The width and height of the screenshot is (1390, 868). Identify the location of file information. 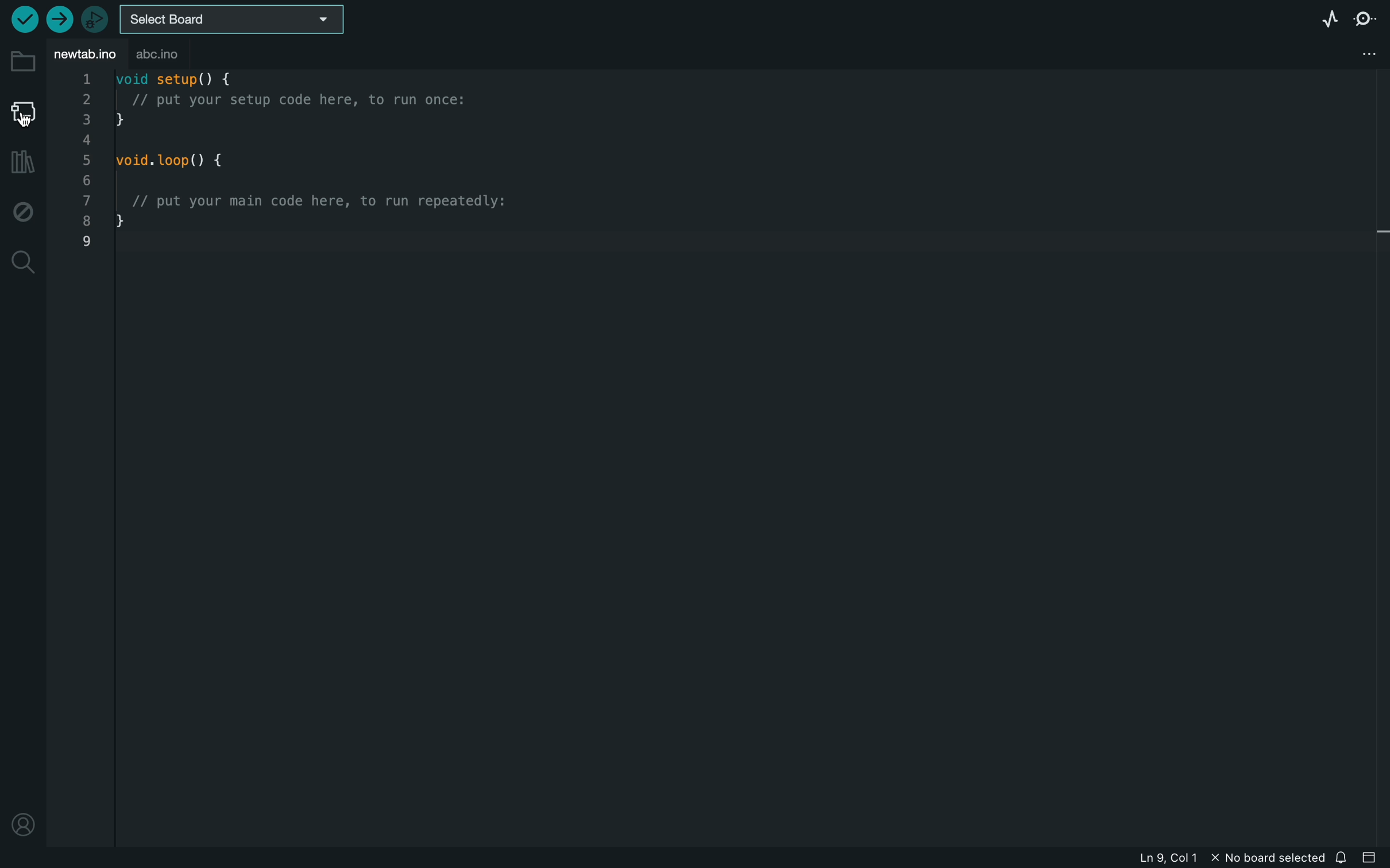
(1225, 857).